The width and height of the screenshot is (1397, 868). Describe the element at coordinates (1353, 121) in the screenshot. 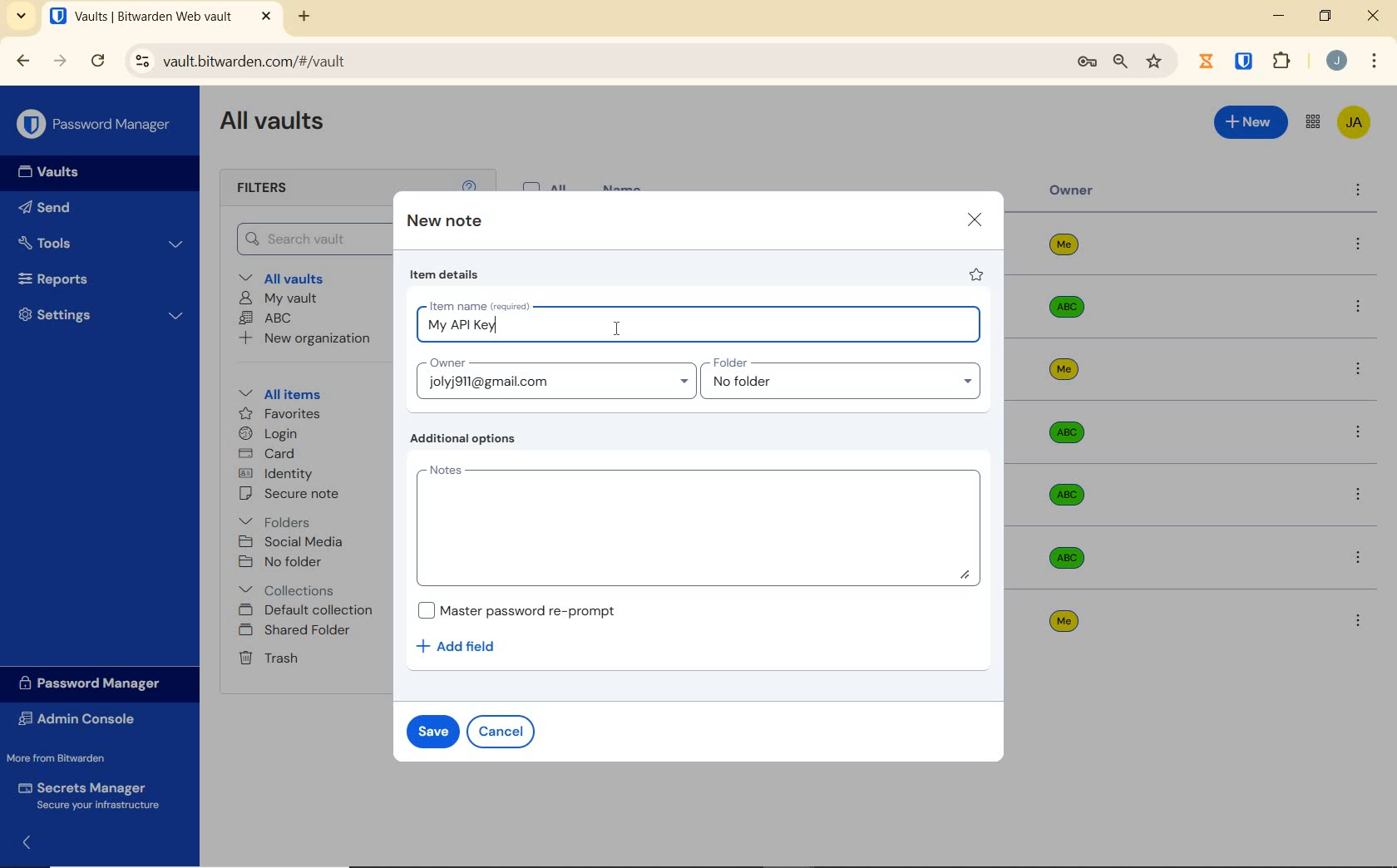

I see `Bitwarden Account` at that location.